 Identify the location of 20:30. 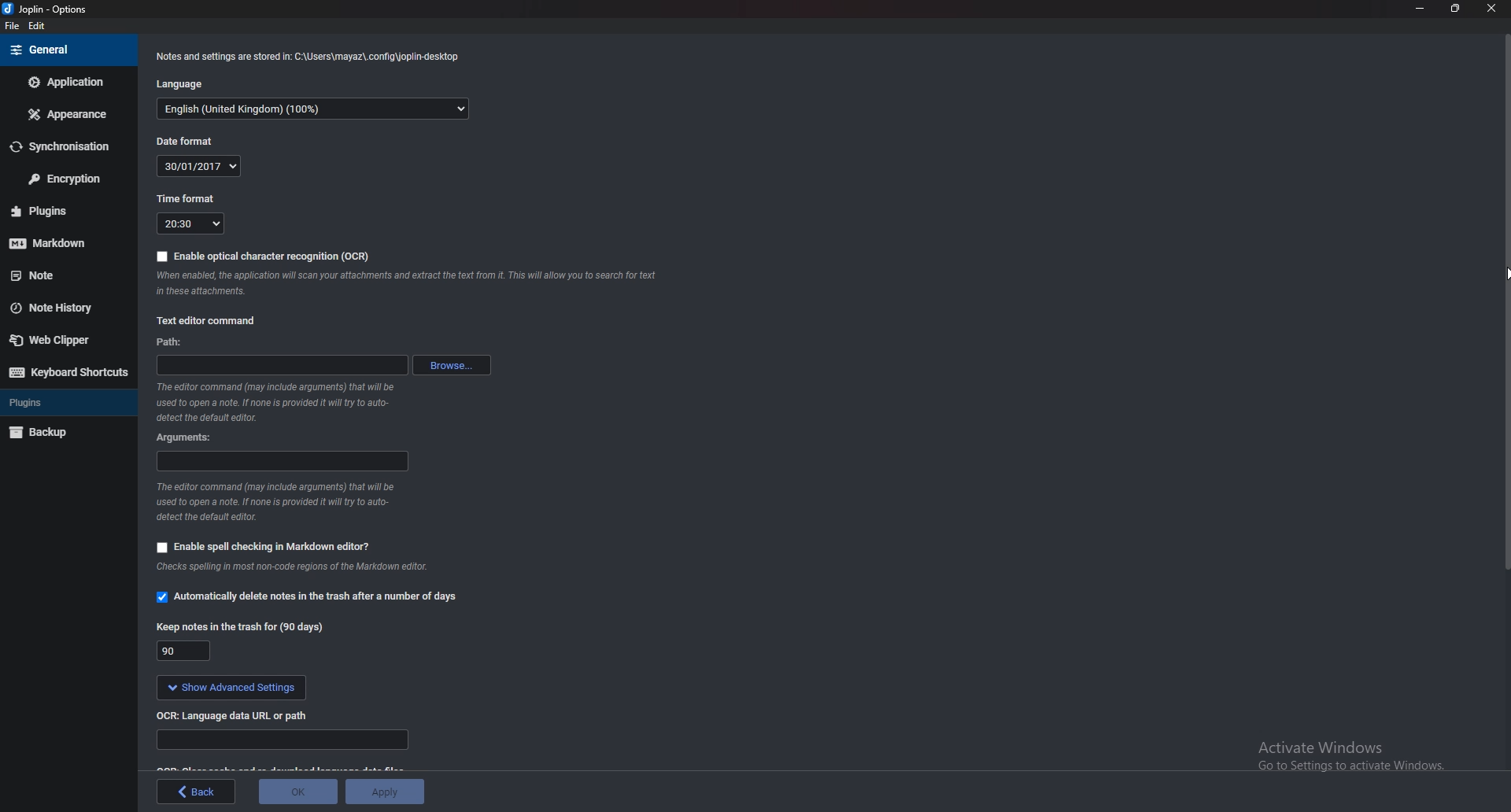
(190, 222).